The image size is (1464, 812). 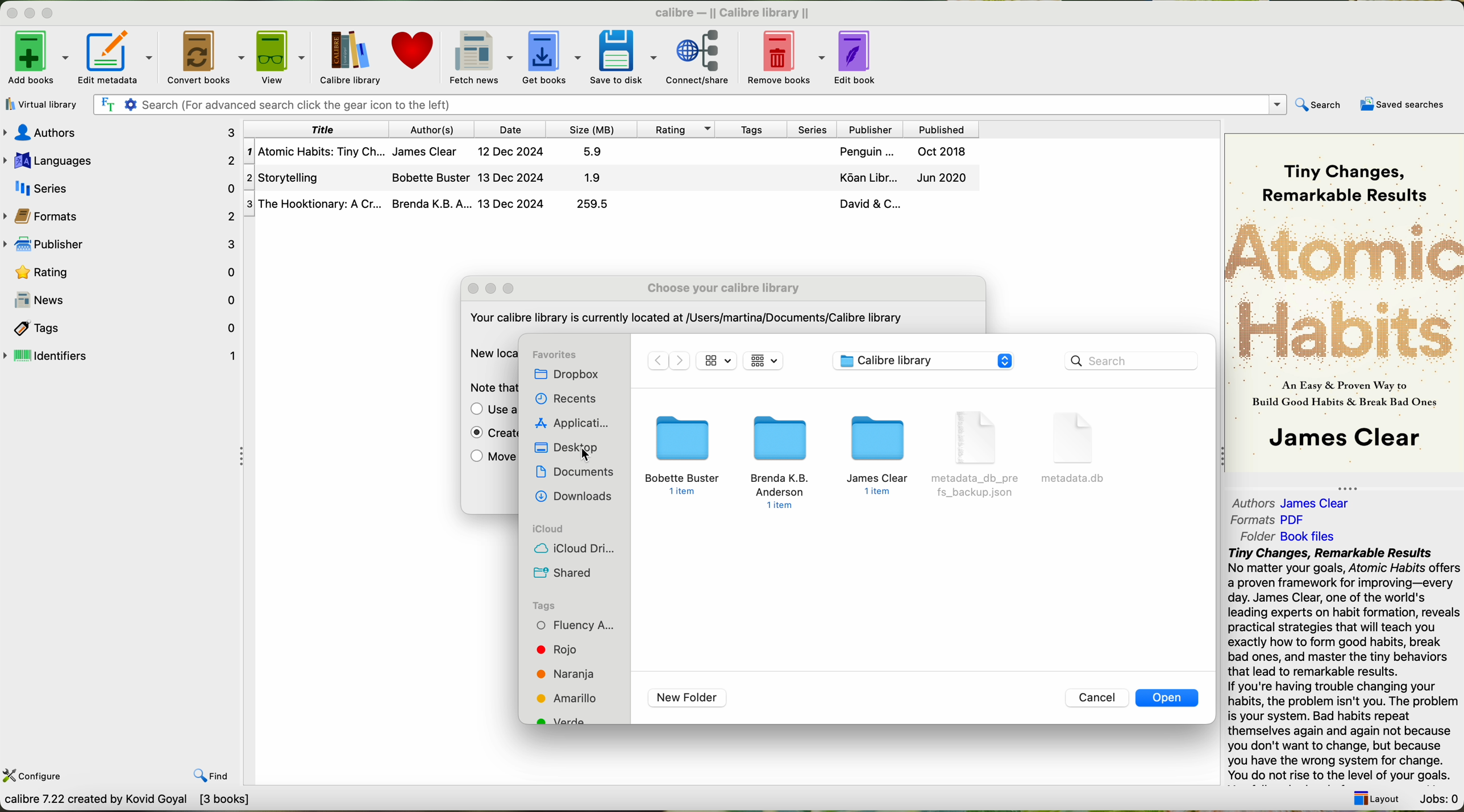 I want to click on Note that putting the calibre library on a Networked drive is not safe., so click(x=489, y=388).